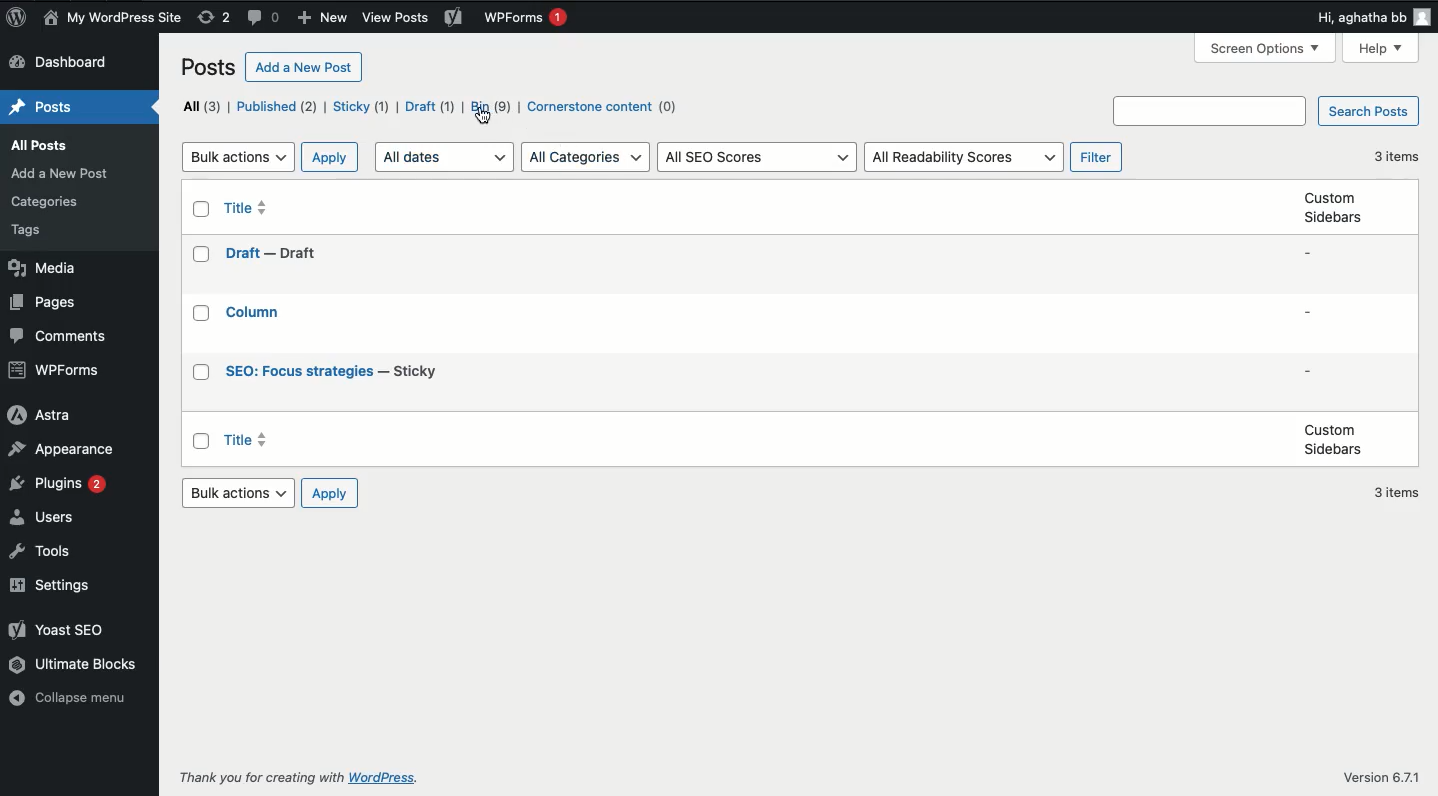 The width and height of the screenshot is (1438, 796). Describe the element at coordinates (201, 371) in the screenshot. I see `Checkbox` at that location.